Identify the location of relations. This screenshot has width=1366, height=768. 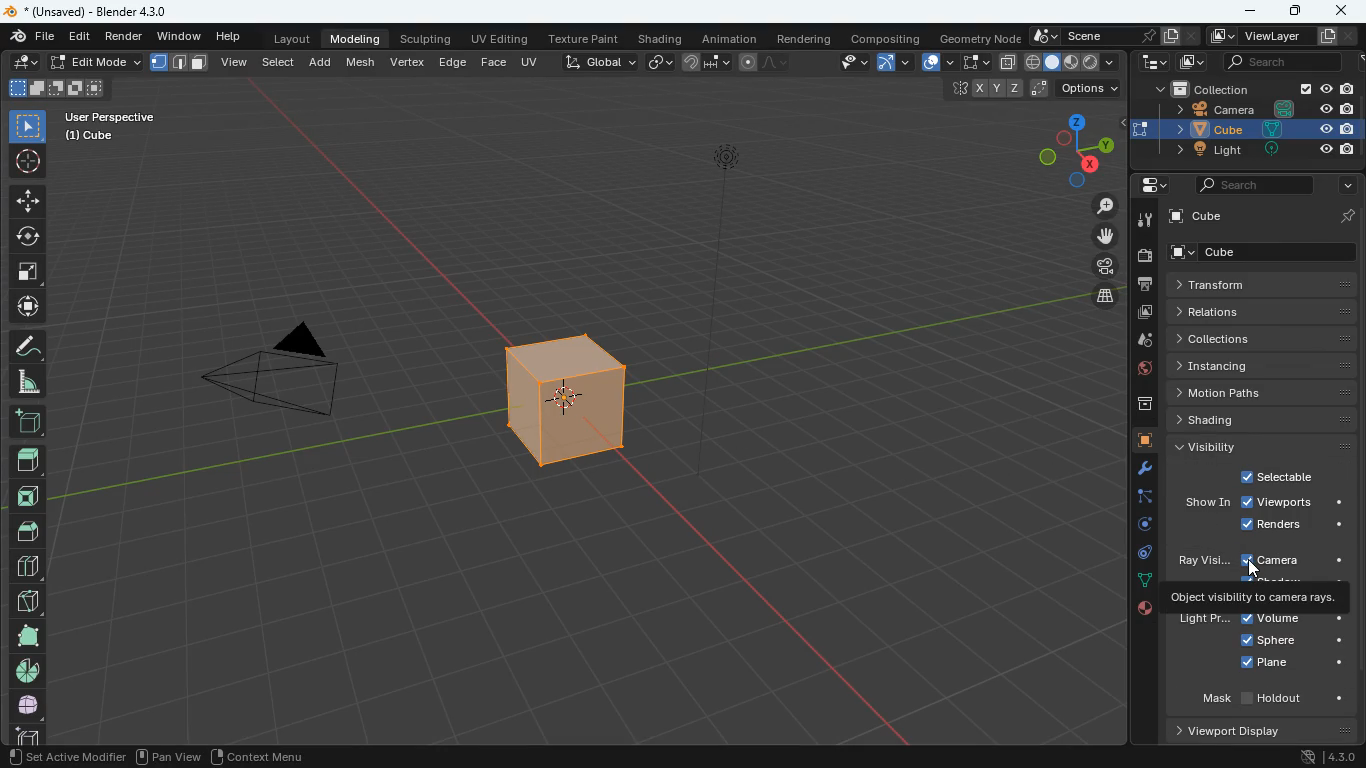
(1262, 313).